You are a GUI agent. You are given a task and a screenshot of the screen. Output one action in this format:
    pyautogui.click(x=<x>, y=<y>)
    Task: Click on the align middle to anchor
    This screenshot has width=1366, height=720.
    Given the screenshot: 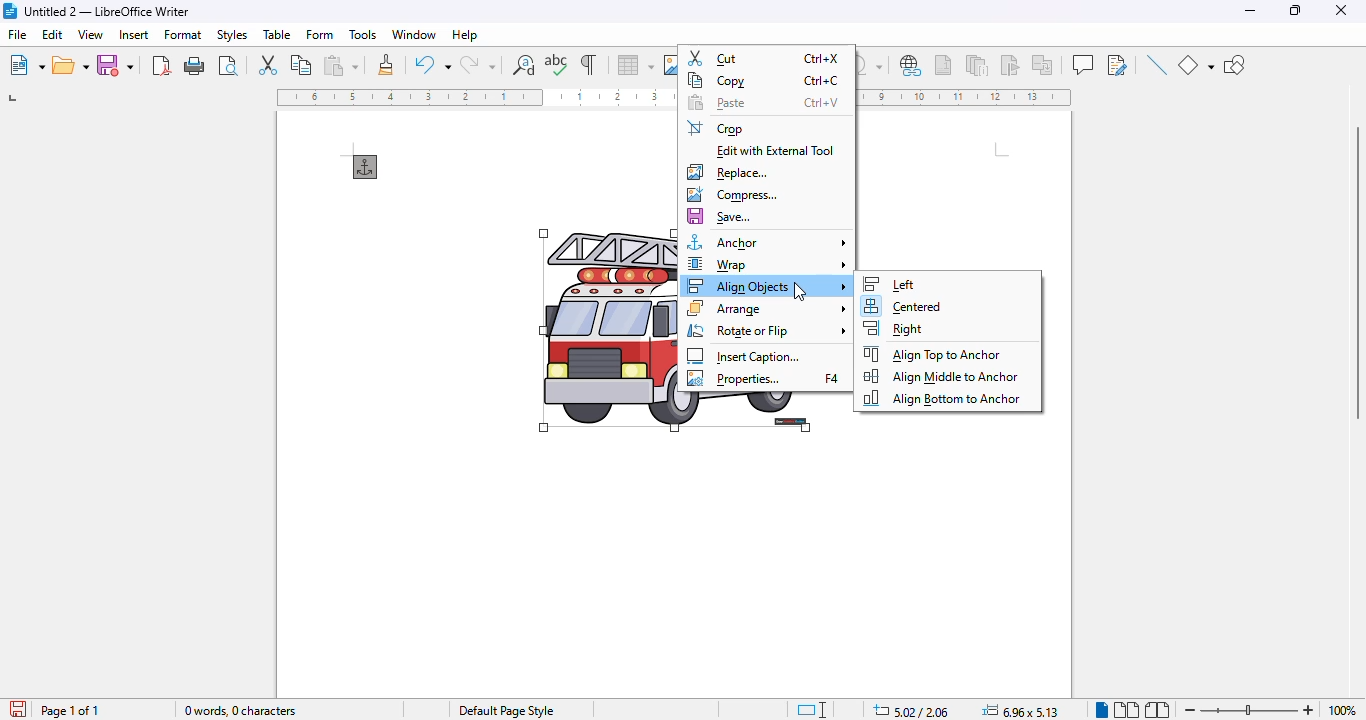 What is the action you would take?
    pyautogui.click(x=942, y=376)
    